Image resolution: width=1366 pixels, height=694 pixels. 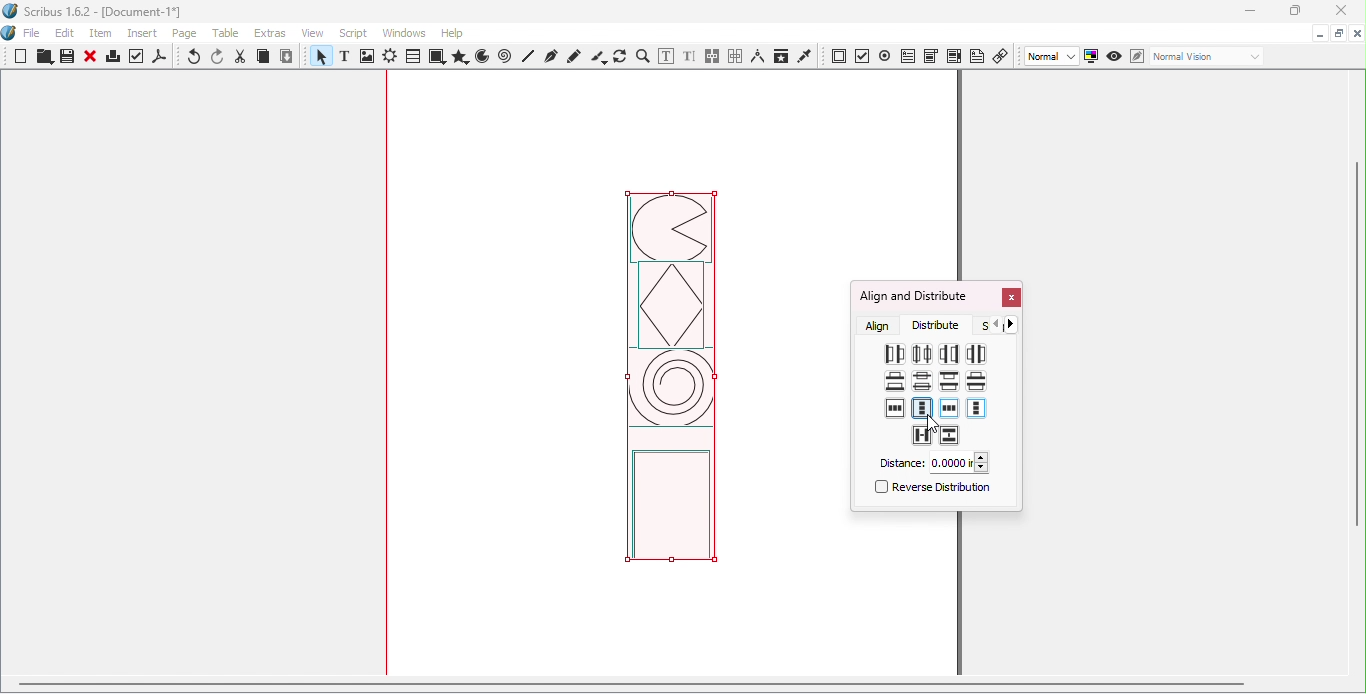 I want to click on Paste, so click(x=287, y=57).